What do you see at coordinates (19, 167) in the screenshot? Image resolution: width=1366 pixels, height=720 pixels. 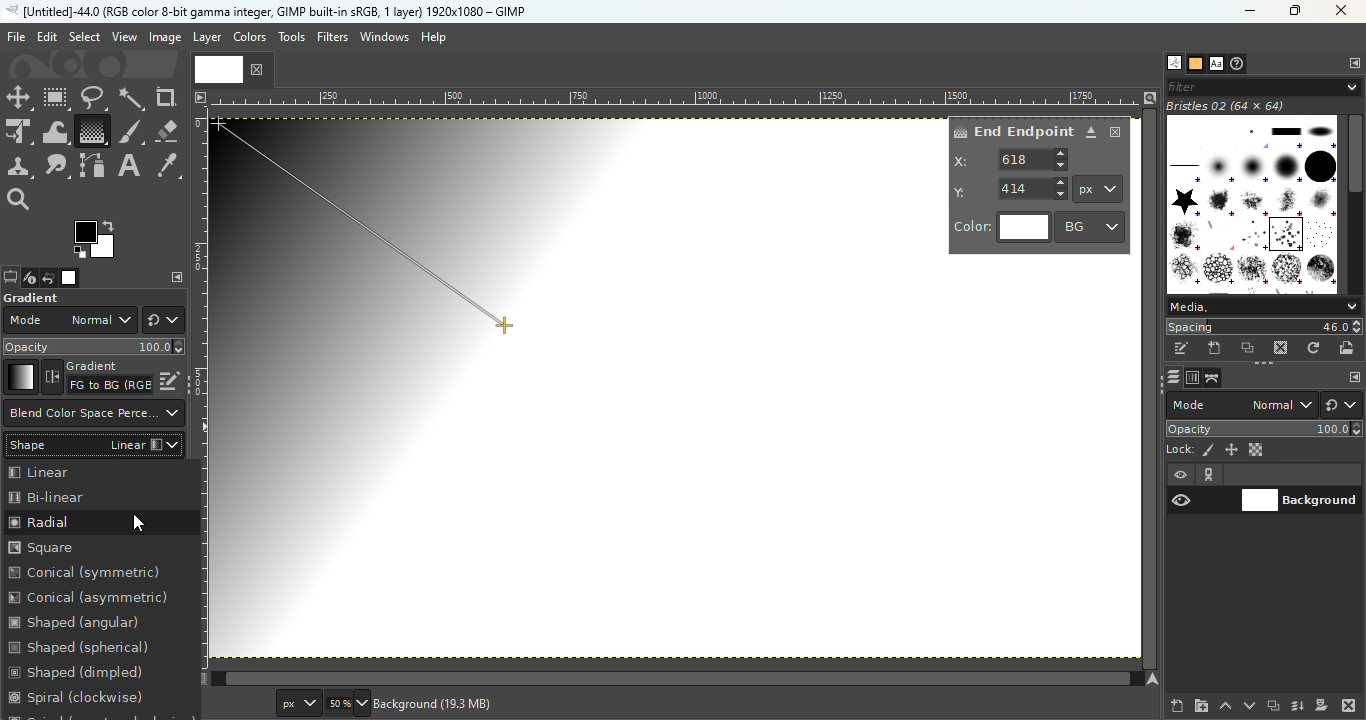 I see `Clone tool` at bounding box center [19, 167].